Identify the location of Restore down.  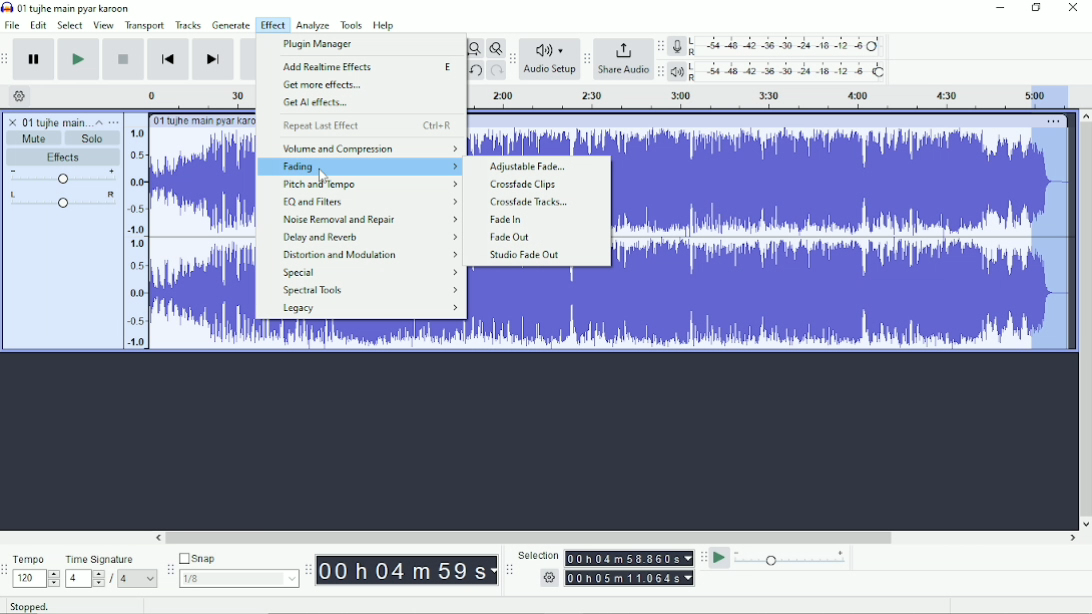
(1038, 7).